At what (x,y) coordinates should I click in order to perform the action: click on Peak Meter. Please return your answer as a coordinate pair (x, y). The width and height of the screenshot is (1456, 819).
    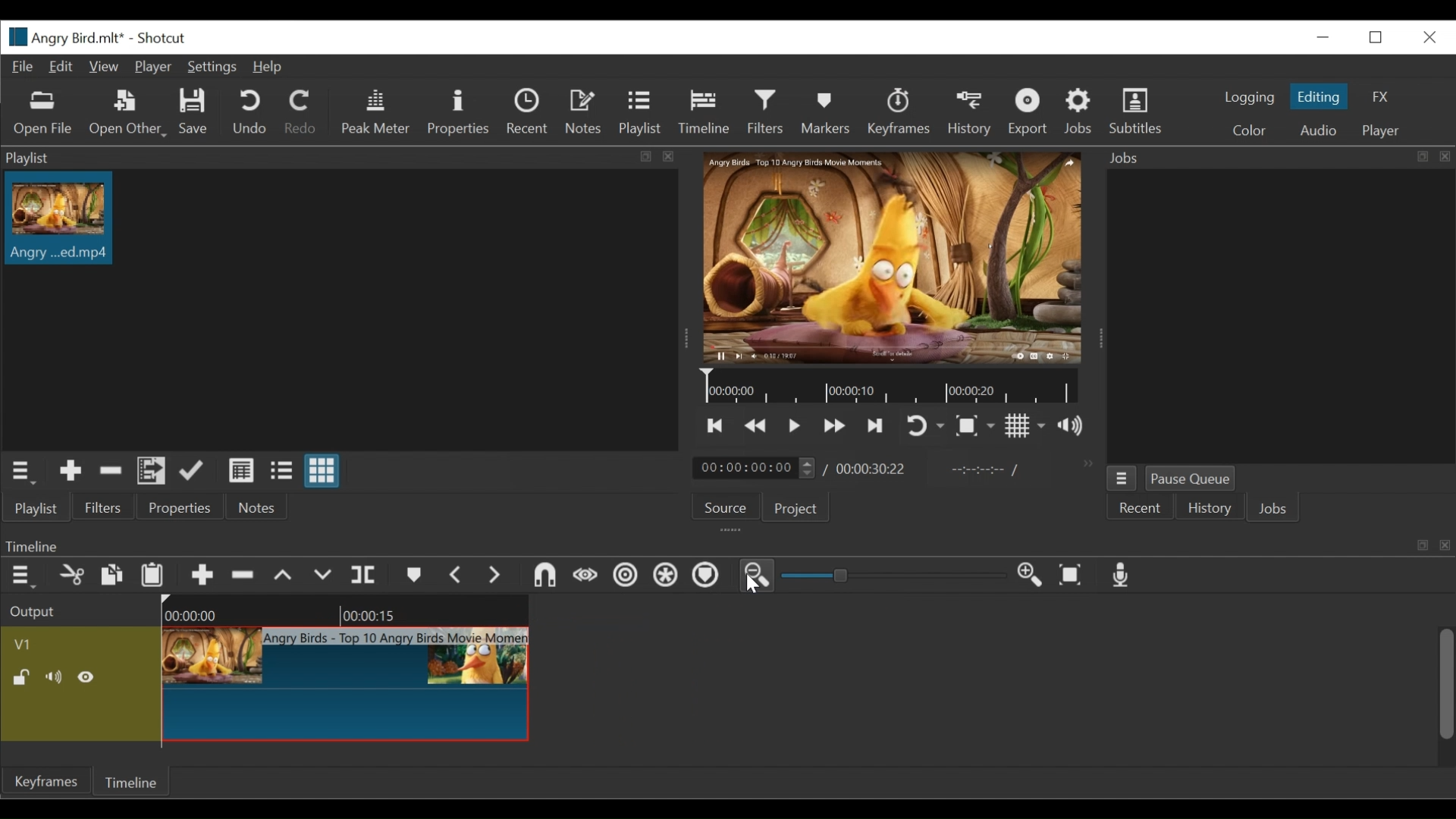
    Looking at the image, I should click on (376, 114).